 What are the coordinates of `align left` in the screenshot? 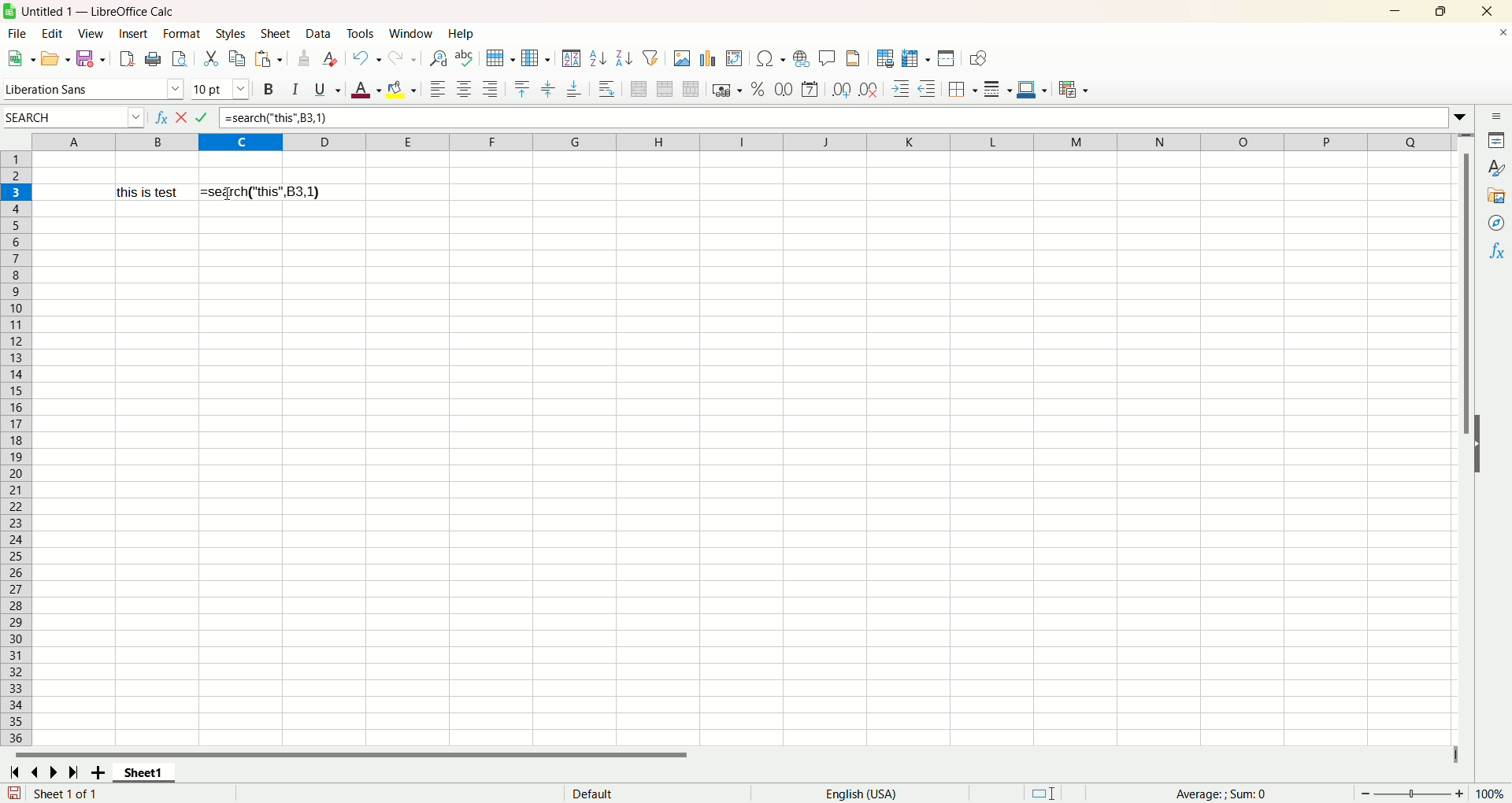 It's located at (435, 90).